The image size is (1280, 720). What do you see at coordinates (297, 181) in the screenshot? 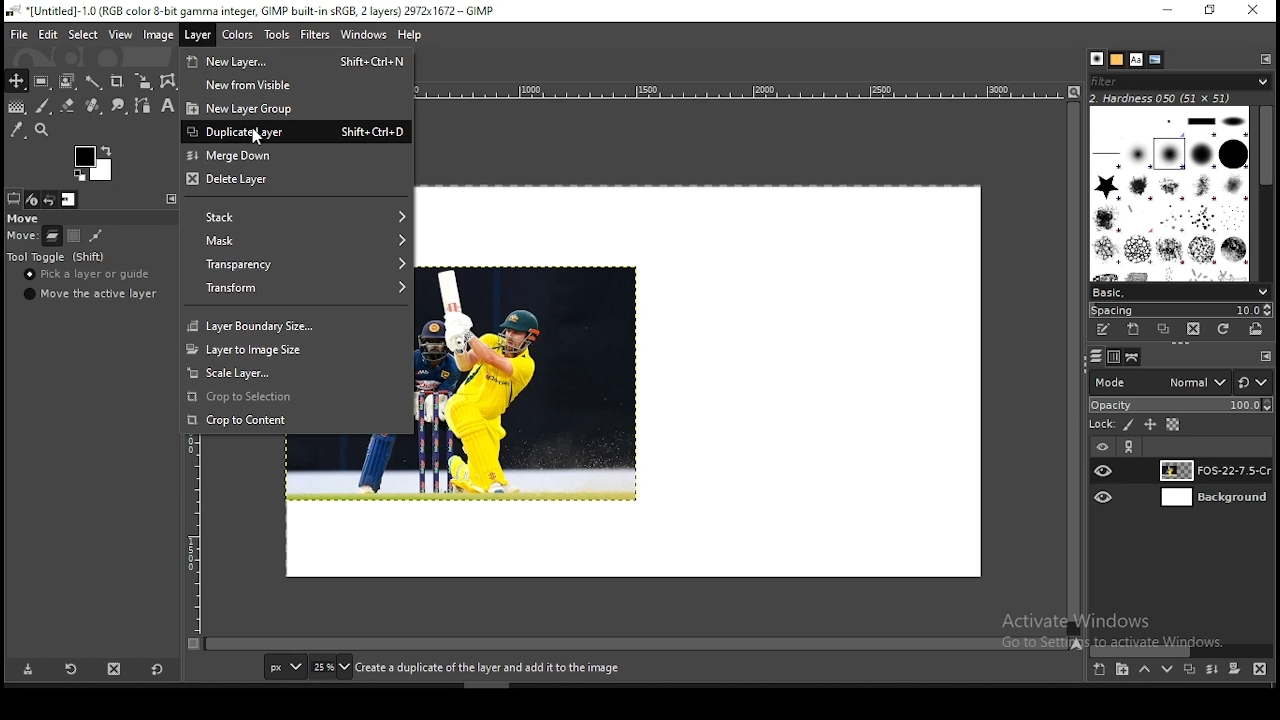
I see `delete layer` at bounding box center [297, 181].